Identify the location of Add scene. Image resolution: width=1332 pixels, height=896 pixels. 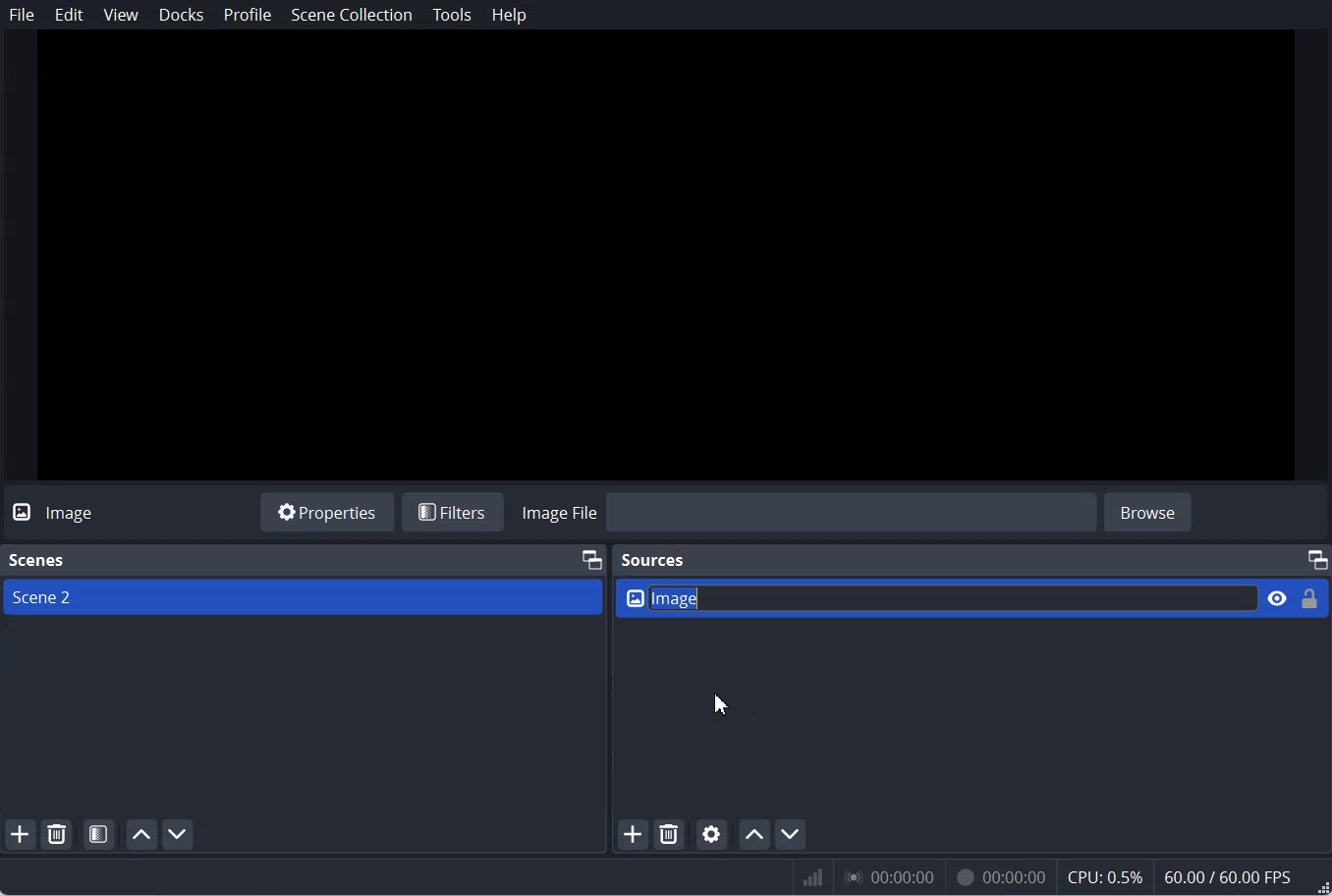
(19, 833).